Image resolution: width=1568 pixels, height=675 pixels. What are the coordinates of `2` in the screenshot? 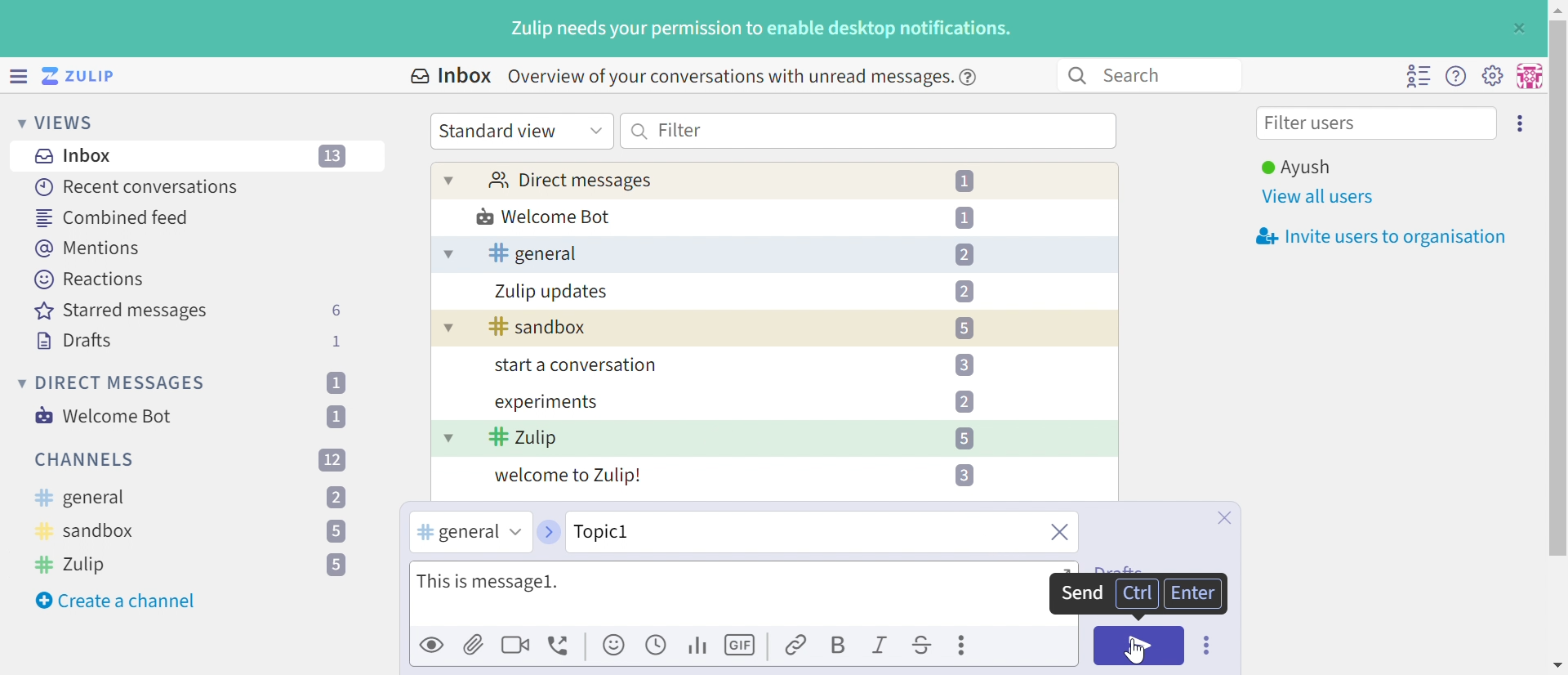 It's located at (964, 255).